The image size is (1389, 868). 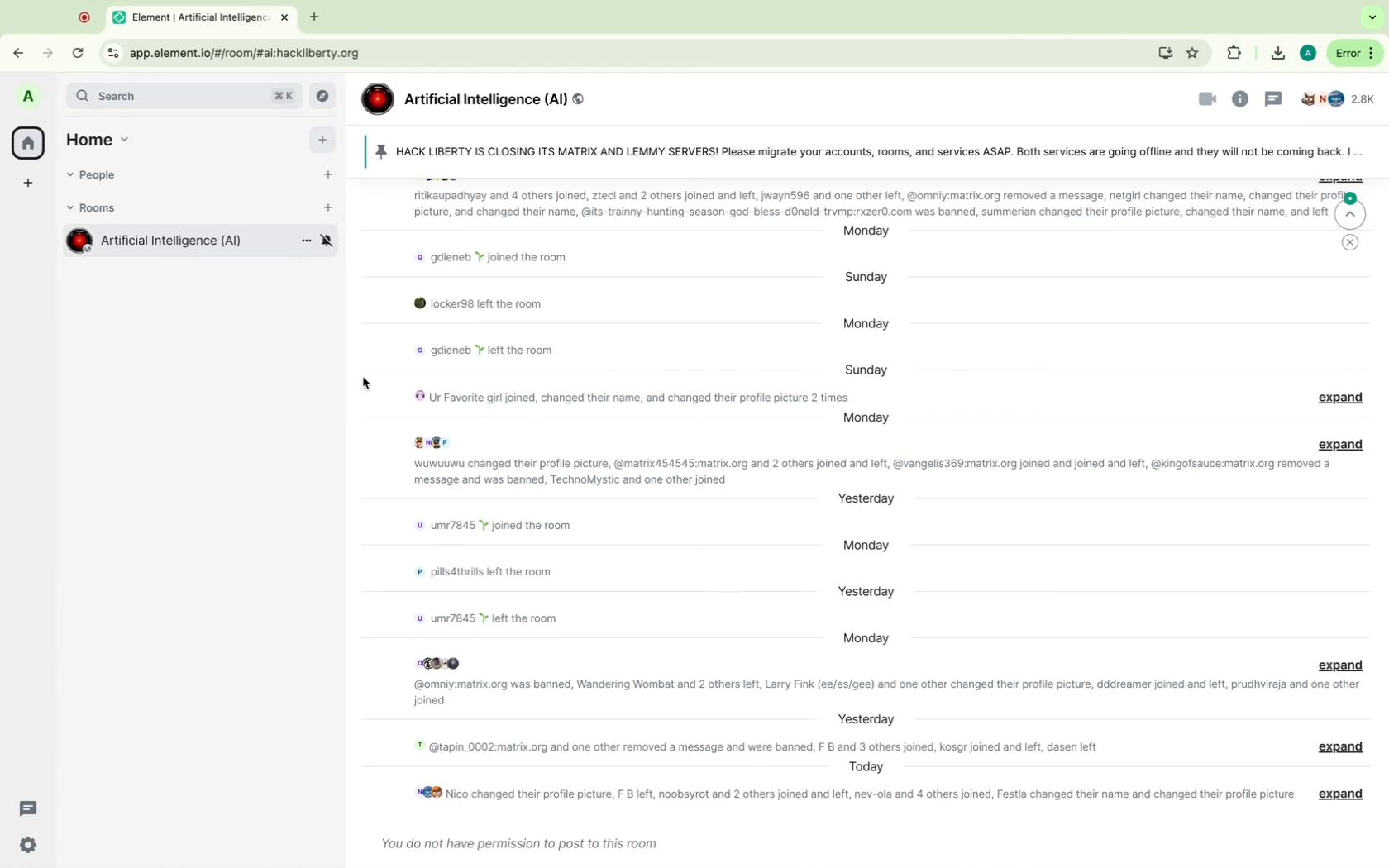 What do you see at coordinates (103, 137) in the screenshot?
I see `home` at bounding box center [103, 137].